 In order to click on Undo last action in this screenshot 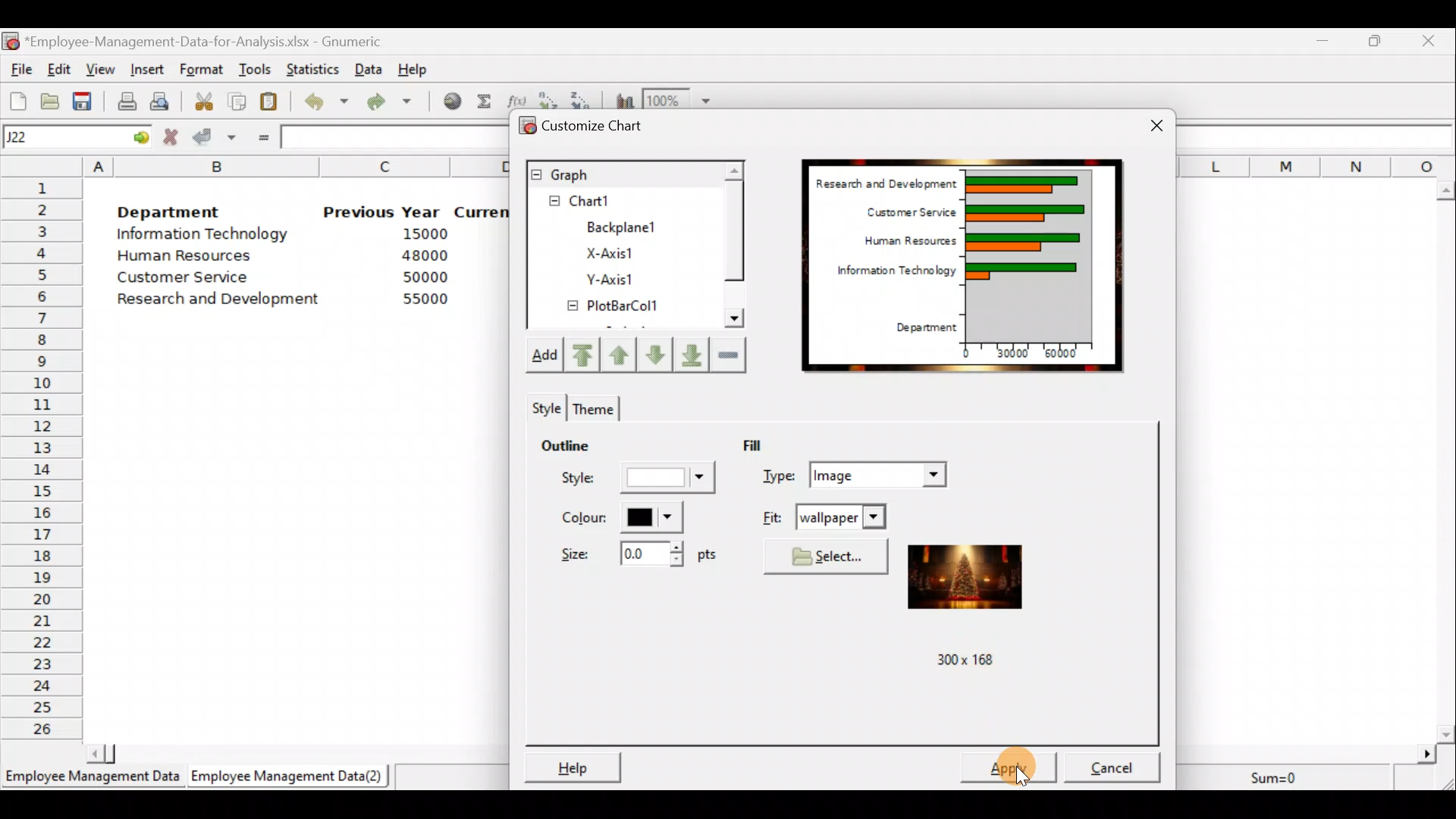, I will do `click(328, 105)`.